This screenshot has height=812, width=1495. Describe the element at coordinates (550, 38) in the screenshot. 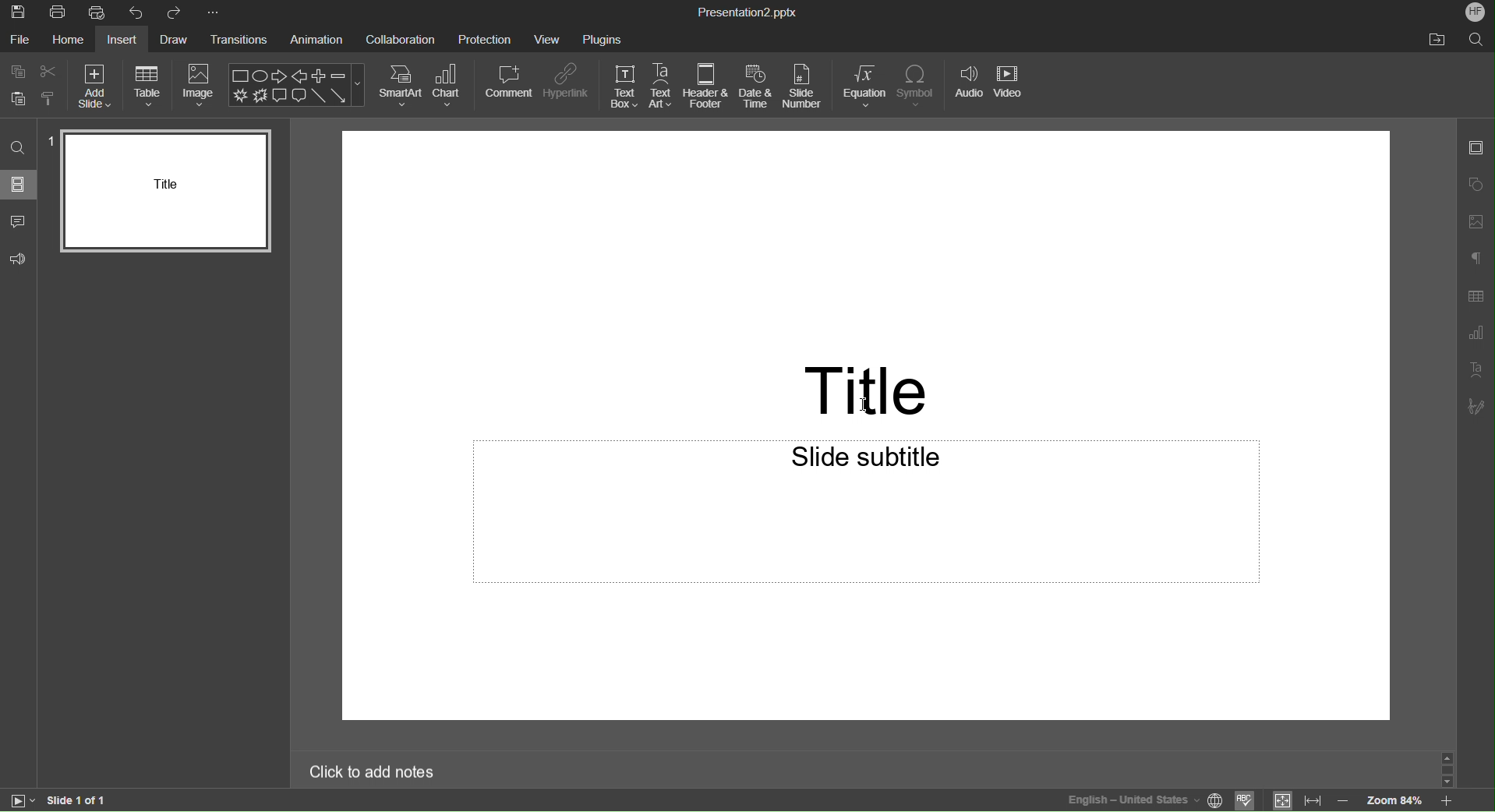

I see `View` at that location.